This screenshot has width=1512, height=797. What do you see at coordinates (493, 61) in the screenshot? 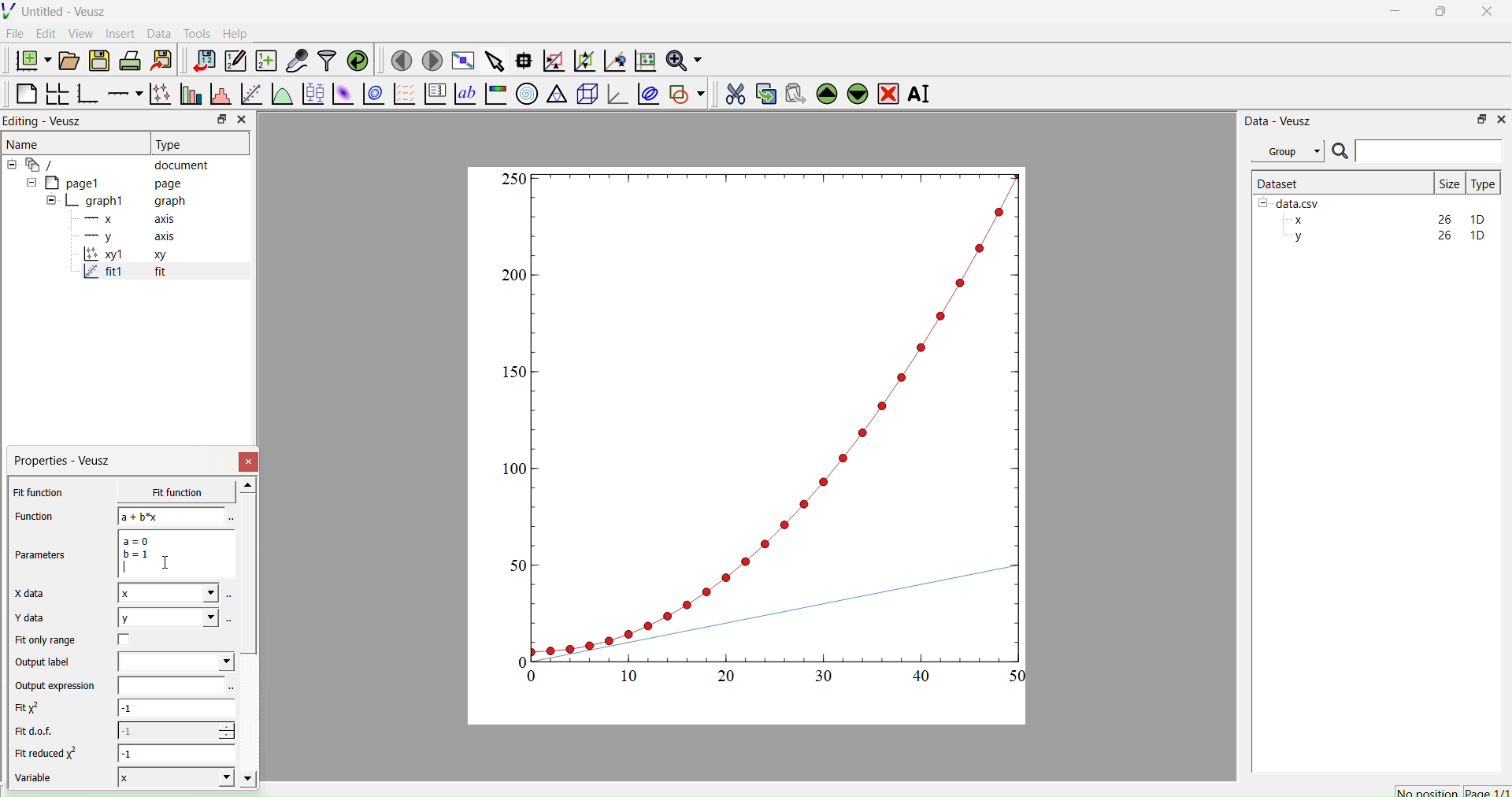
I see `Select items` at bounding box center [493, 61].